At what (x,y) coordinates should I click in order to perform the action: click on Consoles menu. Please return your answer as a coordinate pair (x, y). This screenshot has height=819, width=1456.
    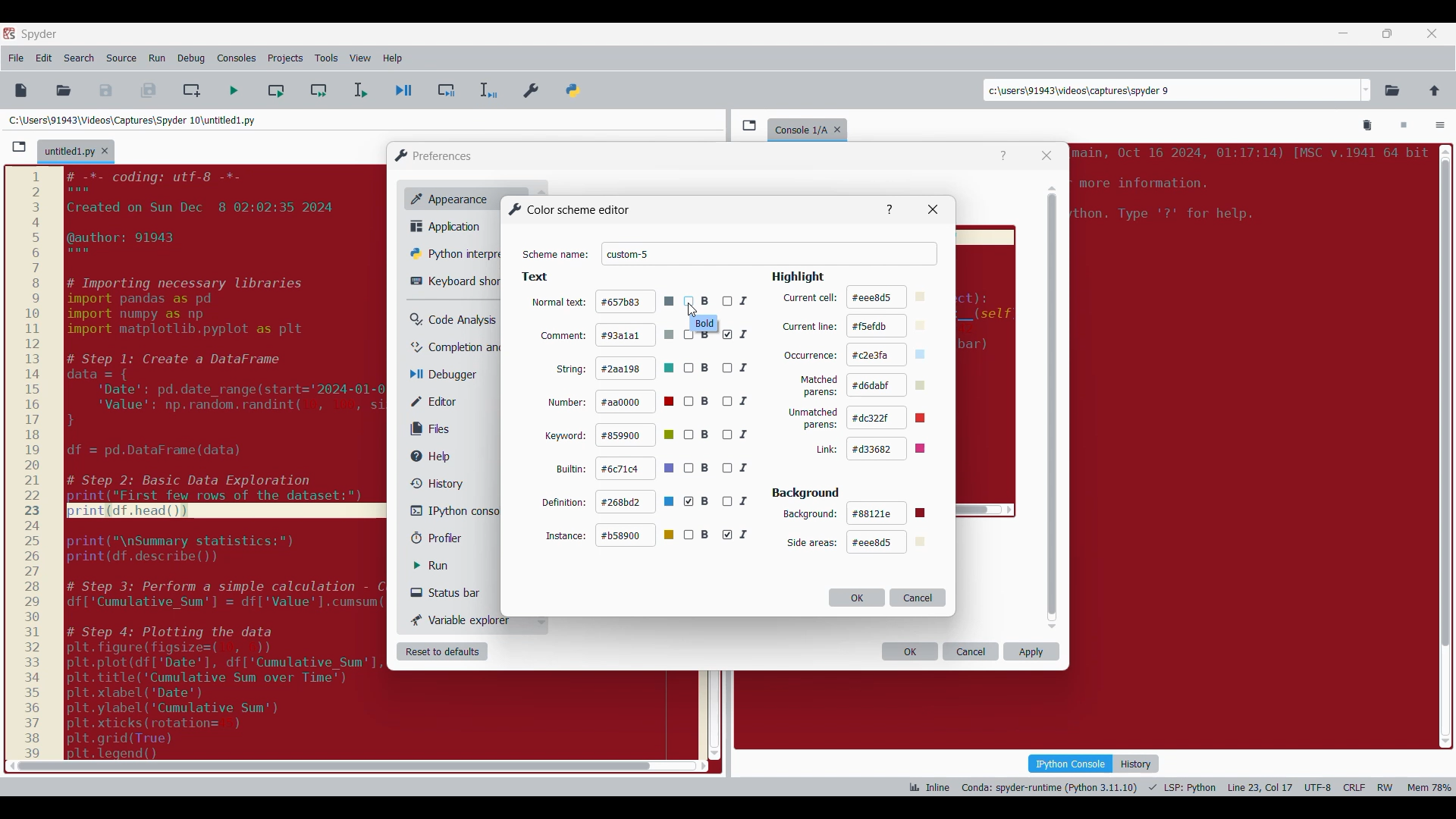
    Looking at the image, I should click on (237, 58).